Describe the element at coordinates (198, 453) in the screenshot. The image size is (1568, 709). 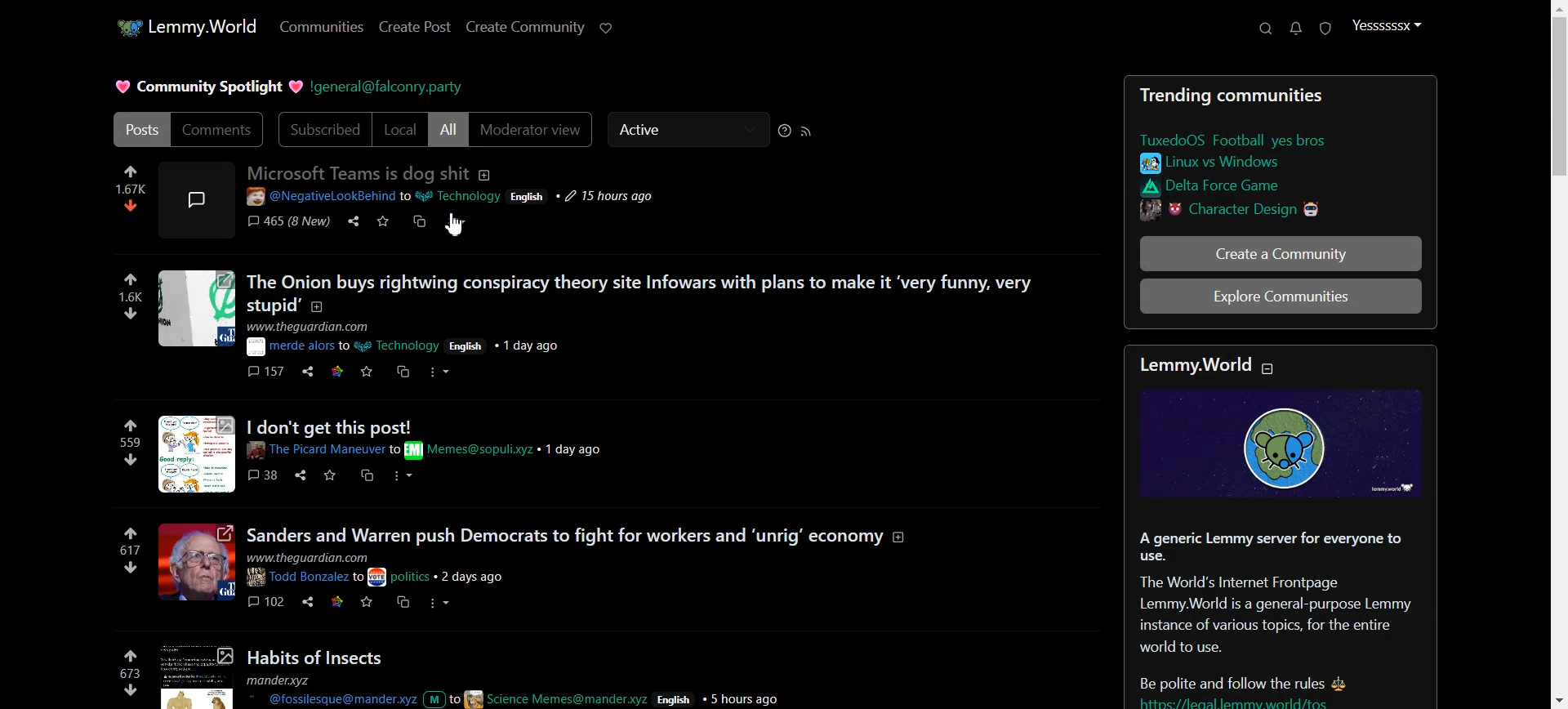
I see `image` at that location.